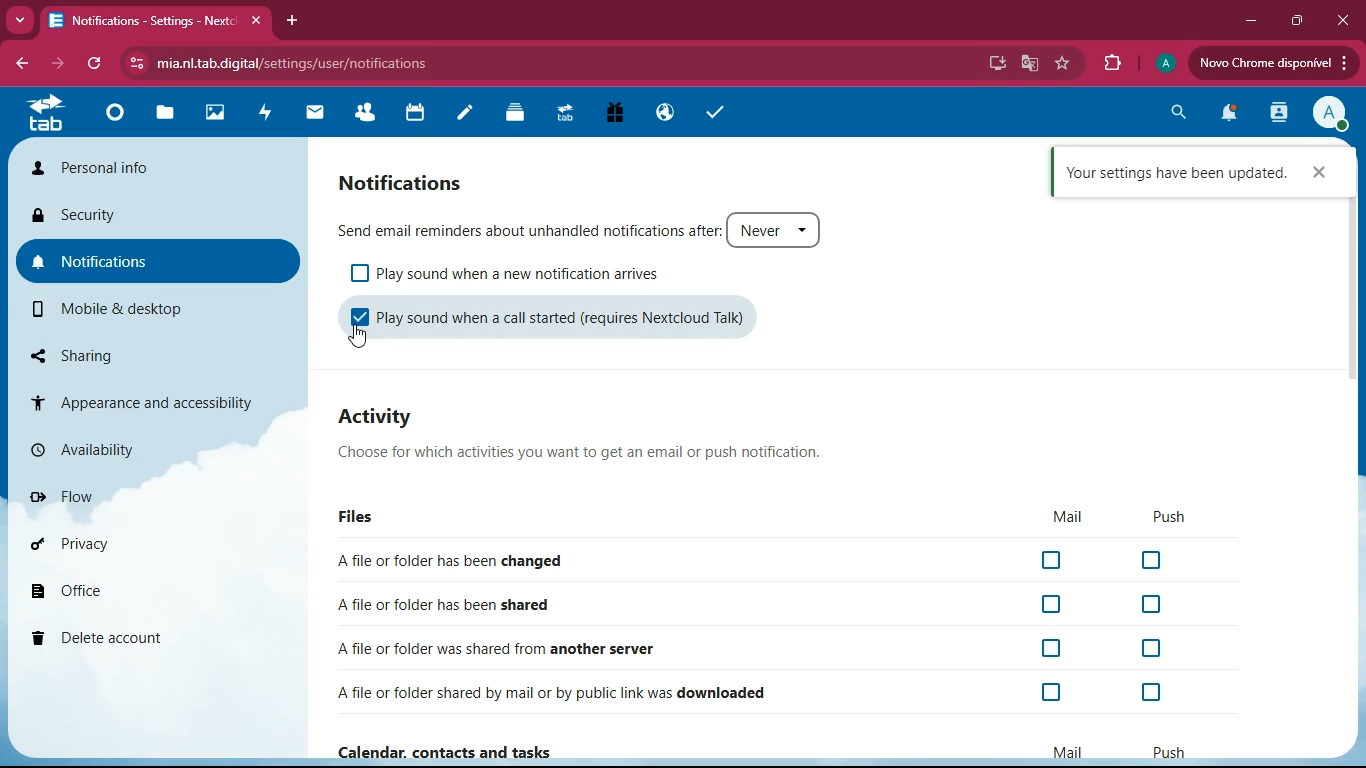 Image resolution: width=1366 pixels, height=768 pixels. I want to click on files, so click(169, 112).